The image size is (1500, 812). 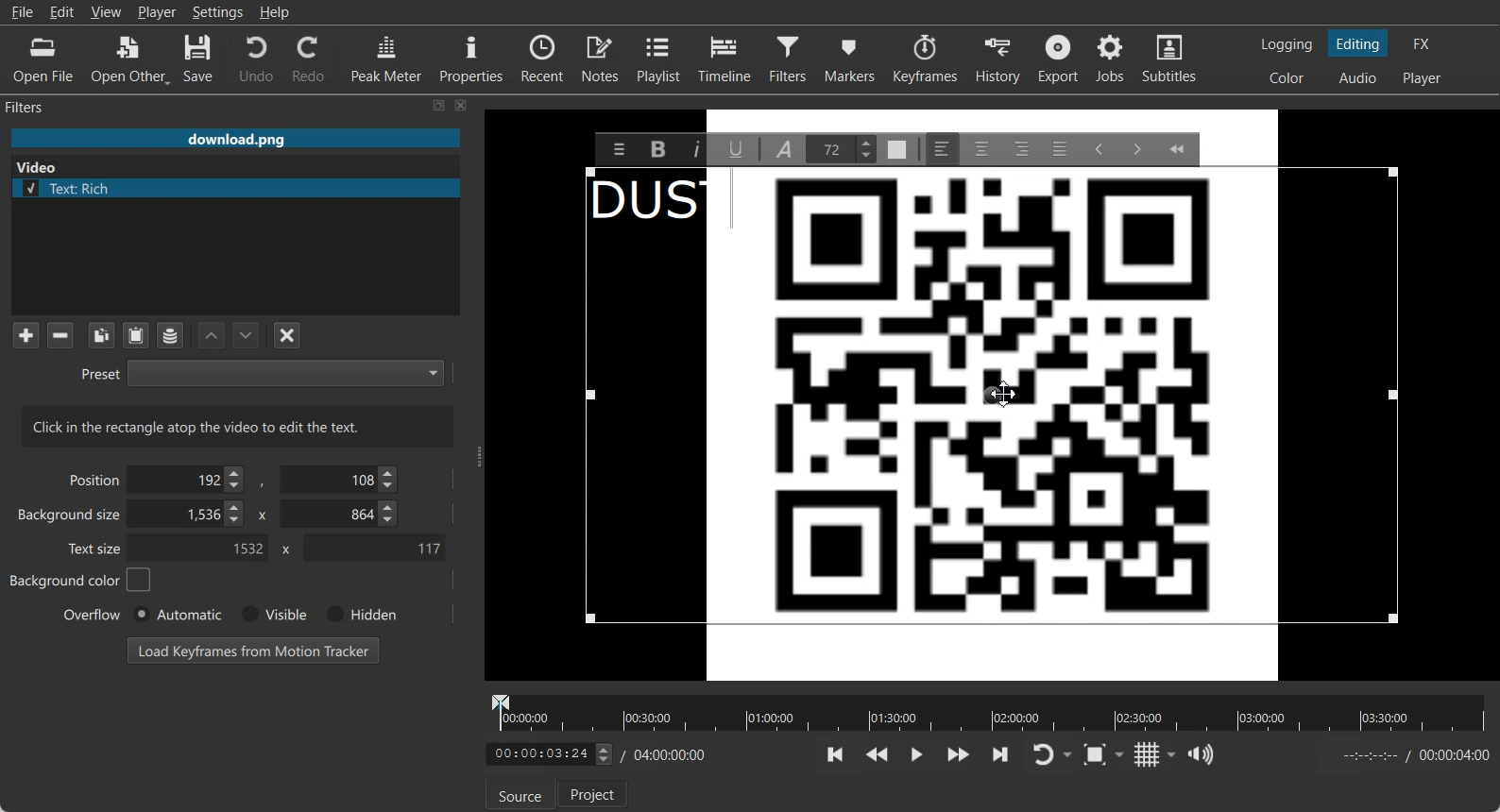 What do you see at coordinates (169, 336) in the screenshot?
I see `Save a filter set` at bounding box center [169, 336].